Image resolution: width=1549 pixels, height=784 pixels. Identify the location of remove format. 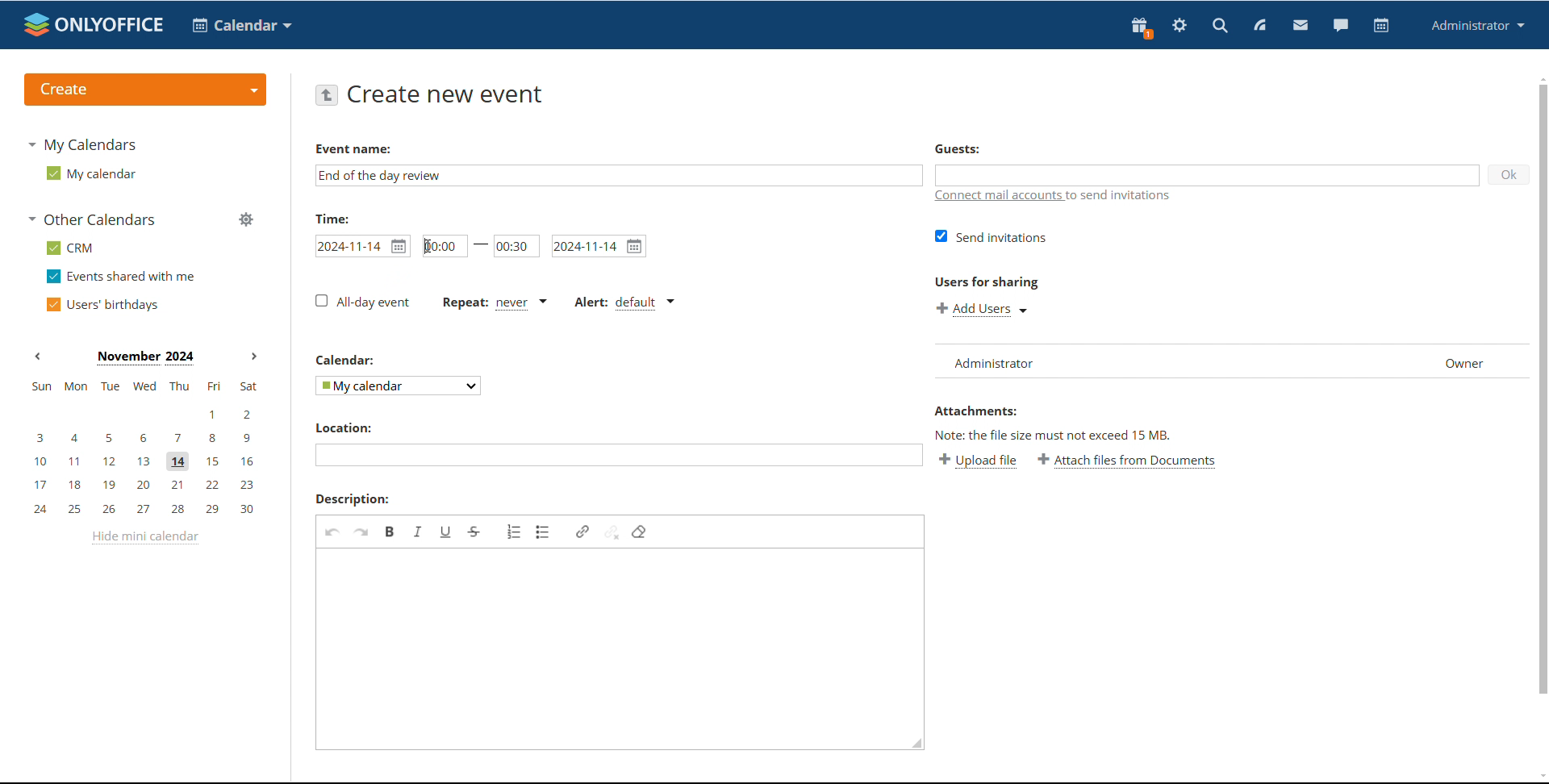
(639, 532).